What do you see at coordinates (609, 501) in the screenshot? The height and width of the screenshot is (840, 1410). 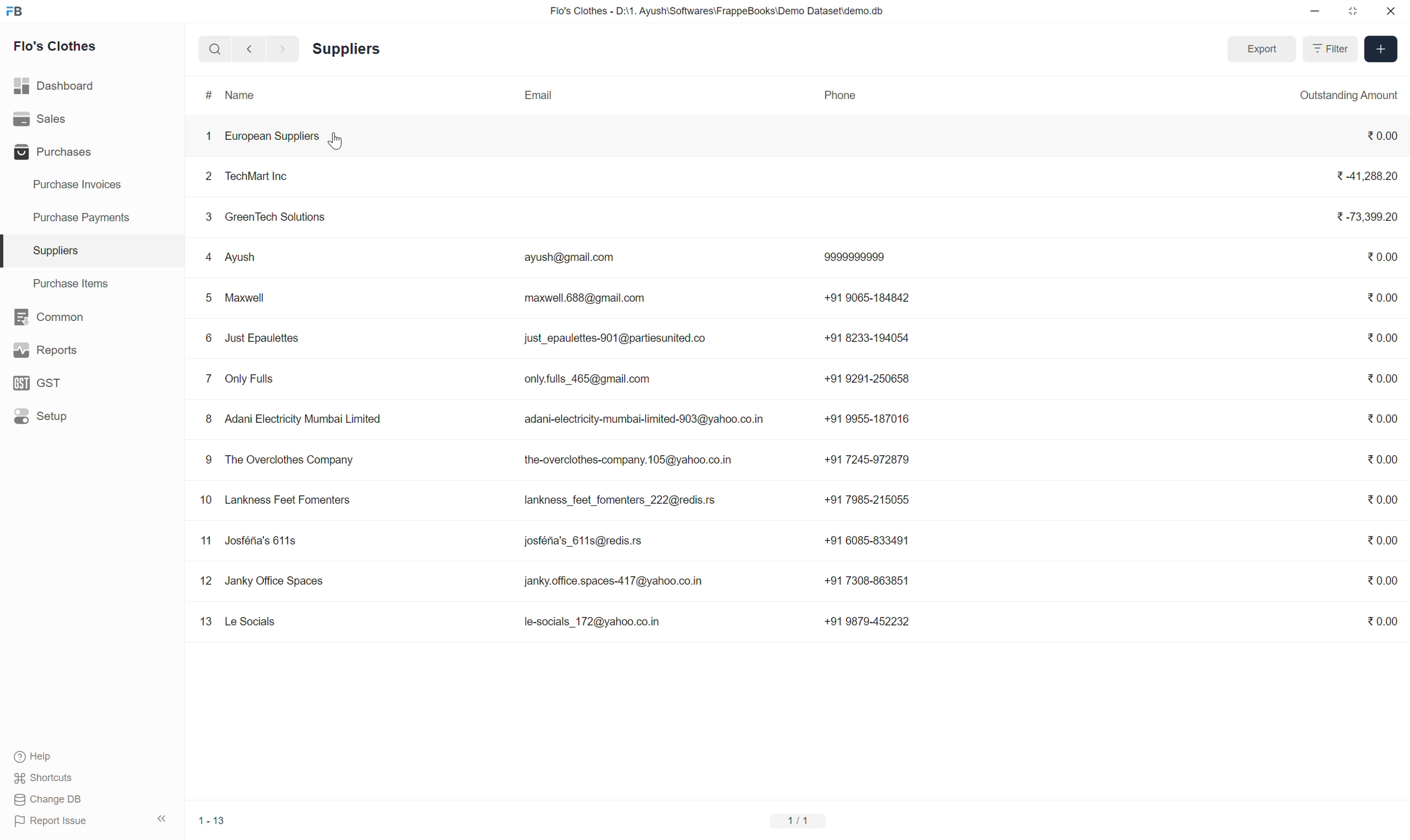 I see `lankness_feet_fomenters_222@redis.rs` at bounding box center [609, 501].